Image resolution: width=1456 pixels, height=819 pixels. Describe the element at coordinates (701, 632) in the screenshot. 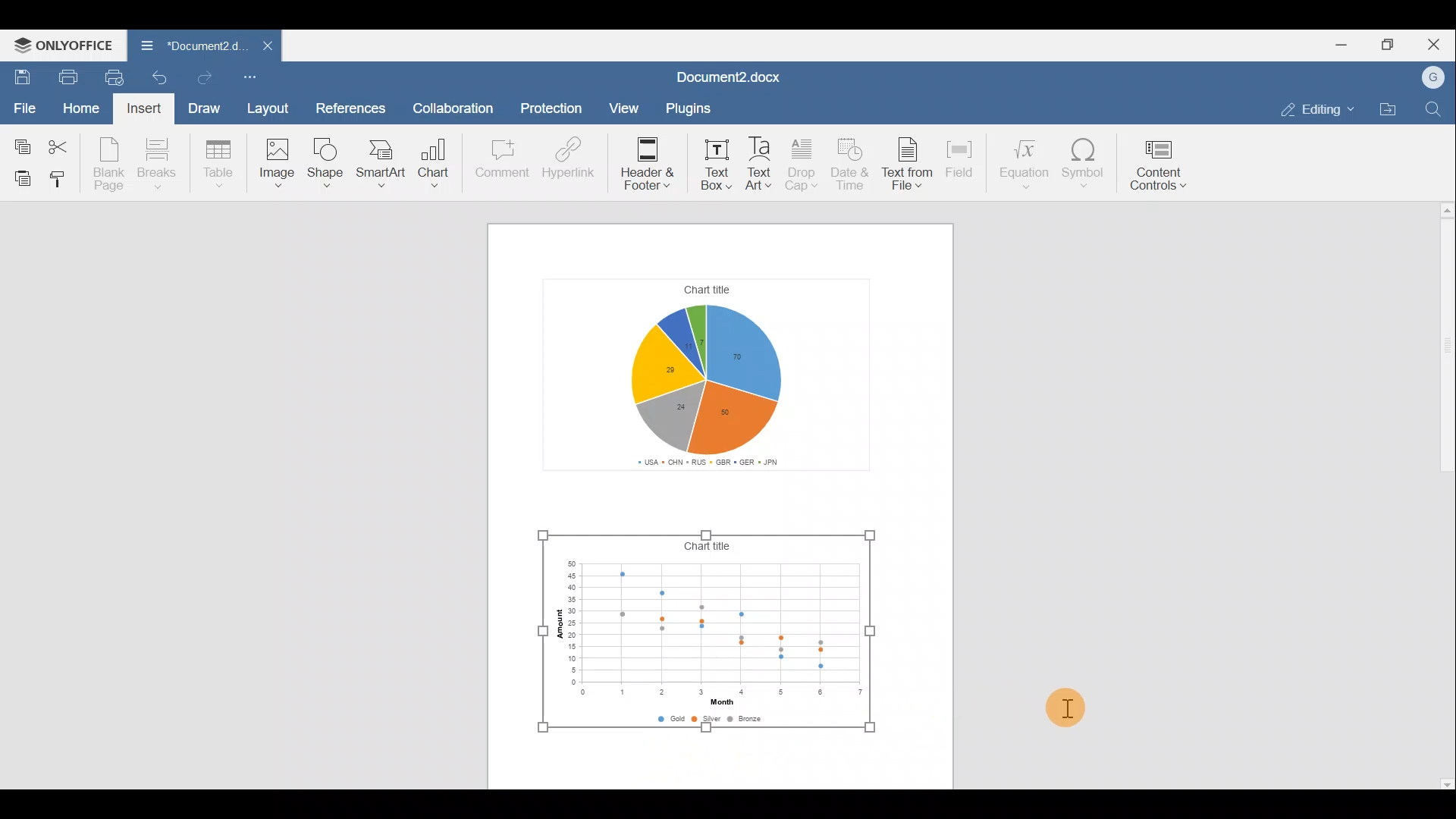

I see `Scatter chart` at that location.